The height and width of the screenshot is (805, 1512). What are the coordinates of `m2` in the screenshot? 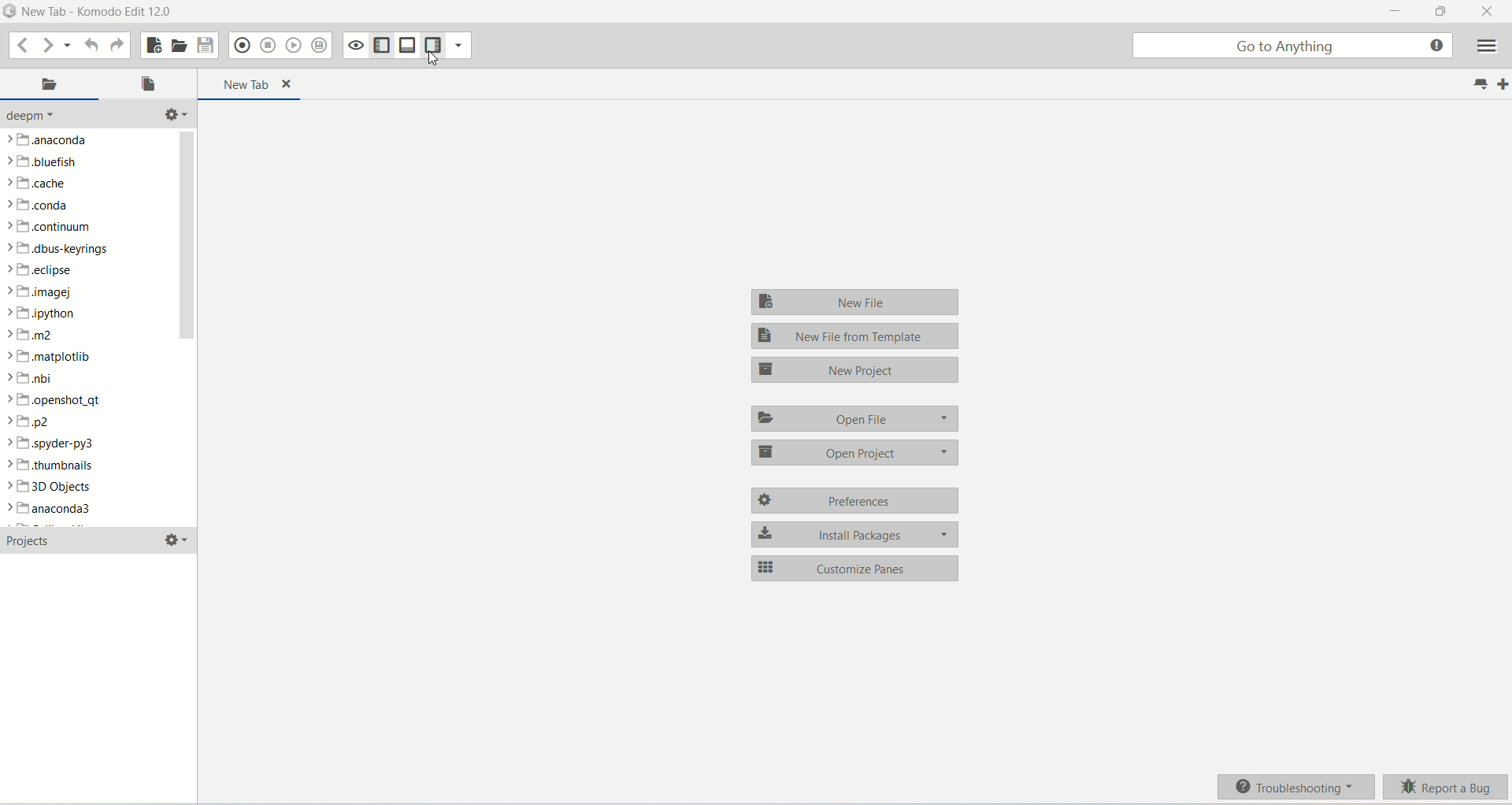 It's located at (32, 334).